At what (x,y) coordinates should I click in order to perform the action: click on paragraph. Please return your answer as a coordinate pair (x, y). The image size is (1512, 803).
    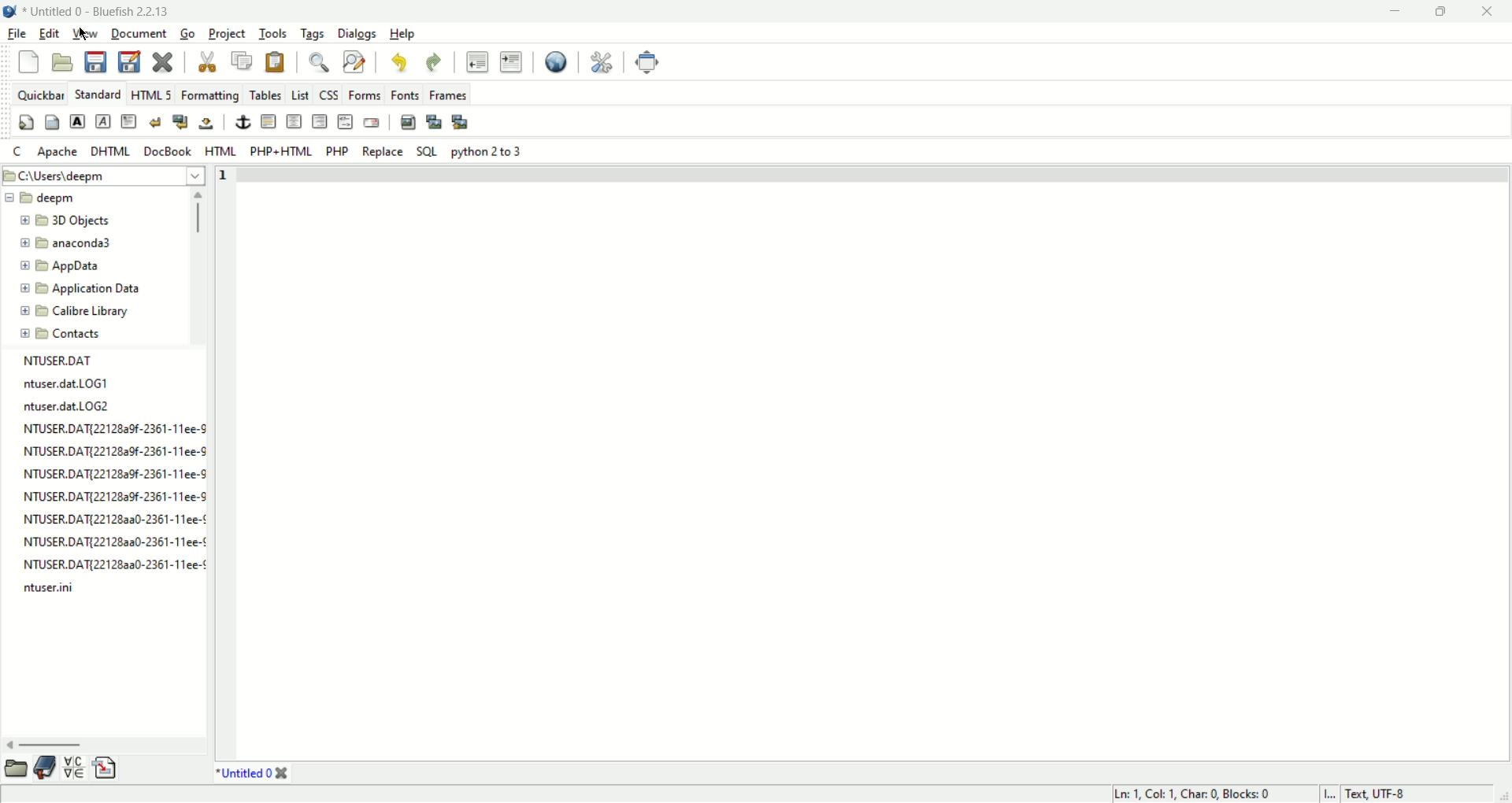
    Looking at the image, I should click on (129, 121).